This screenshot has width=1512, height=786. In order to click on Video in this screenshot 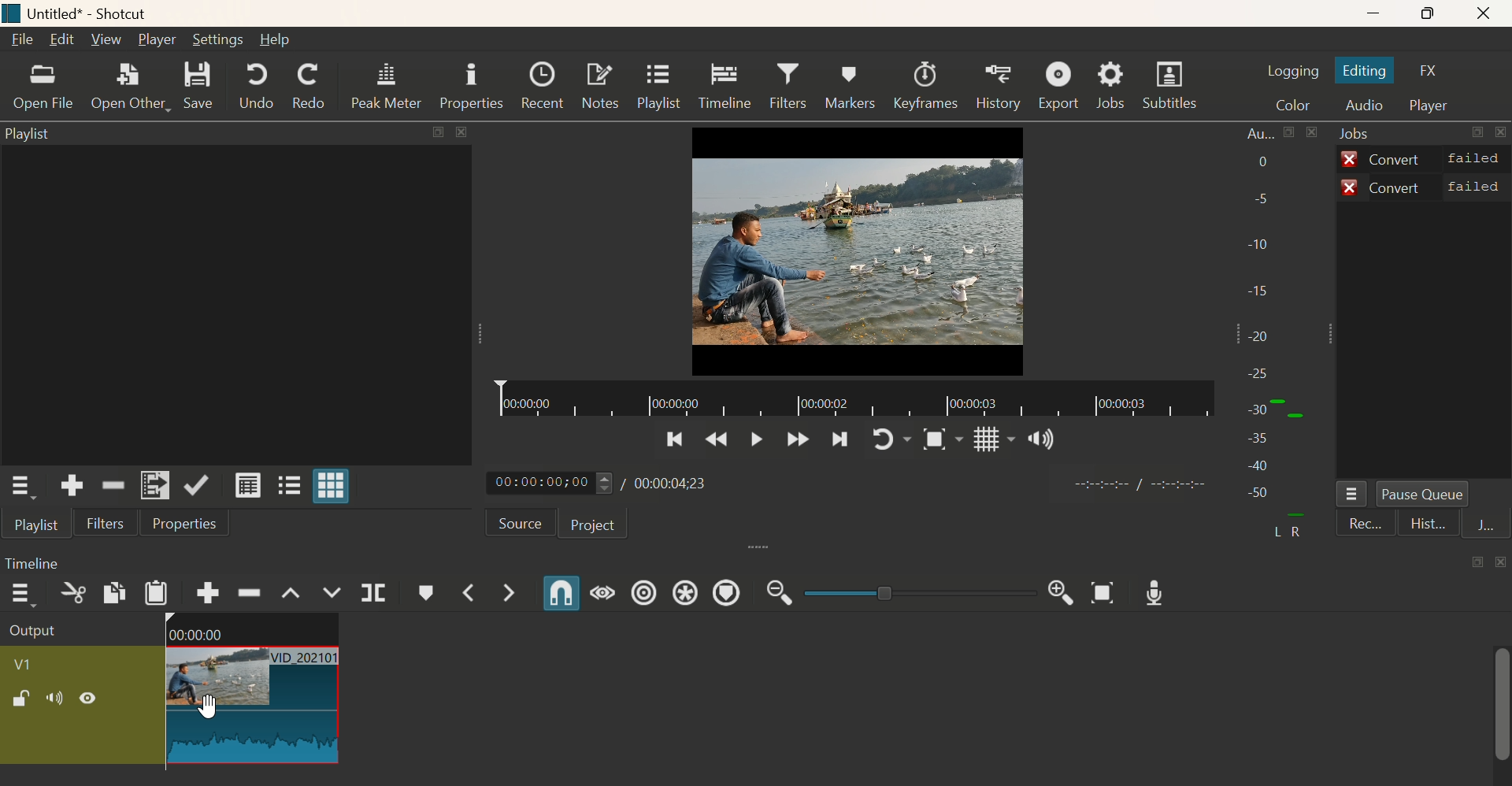, I will do `click(859, 250)`.